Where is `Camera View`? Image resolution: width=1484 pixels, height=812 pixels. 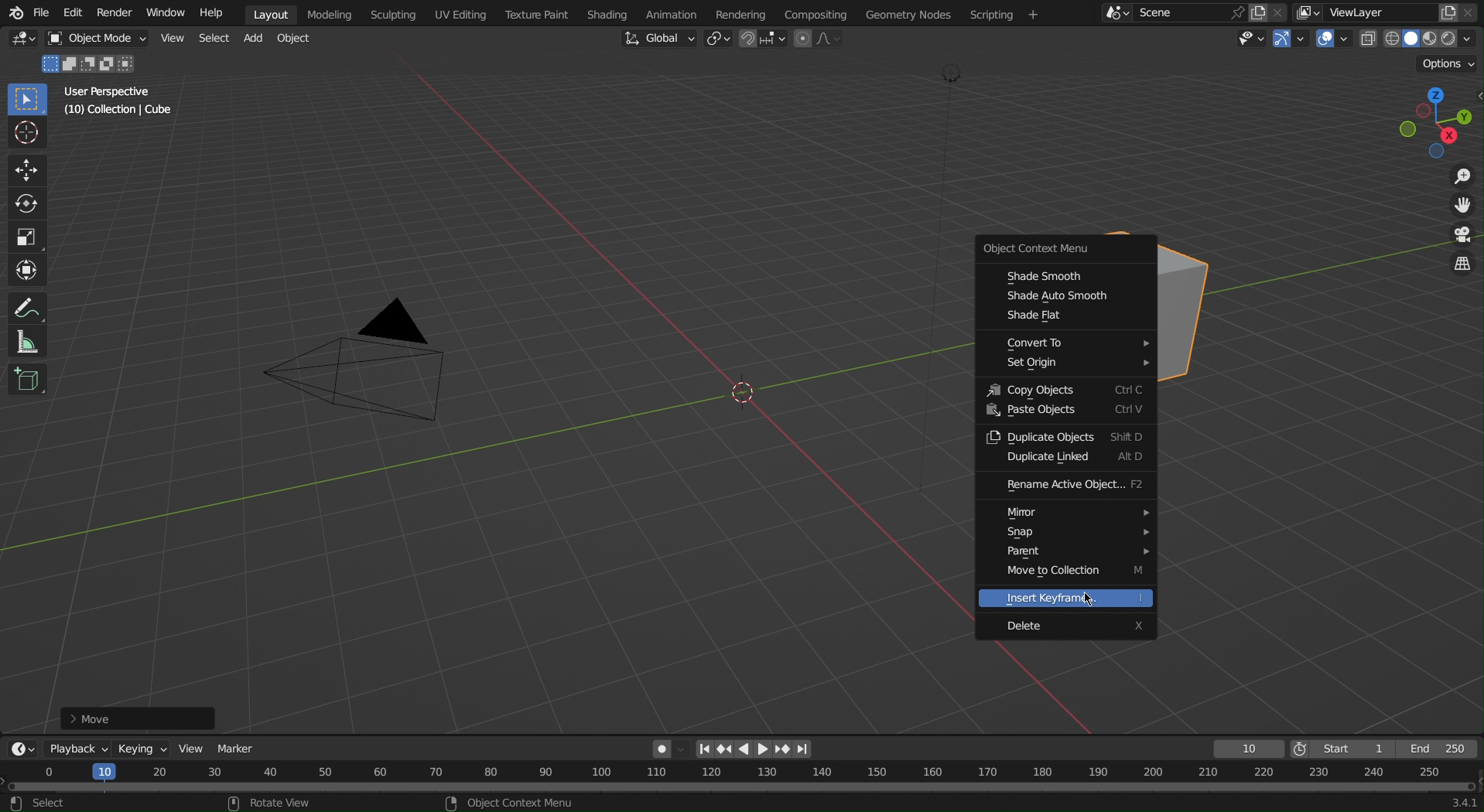
Camera View is located at coordinates (1460, 237).